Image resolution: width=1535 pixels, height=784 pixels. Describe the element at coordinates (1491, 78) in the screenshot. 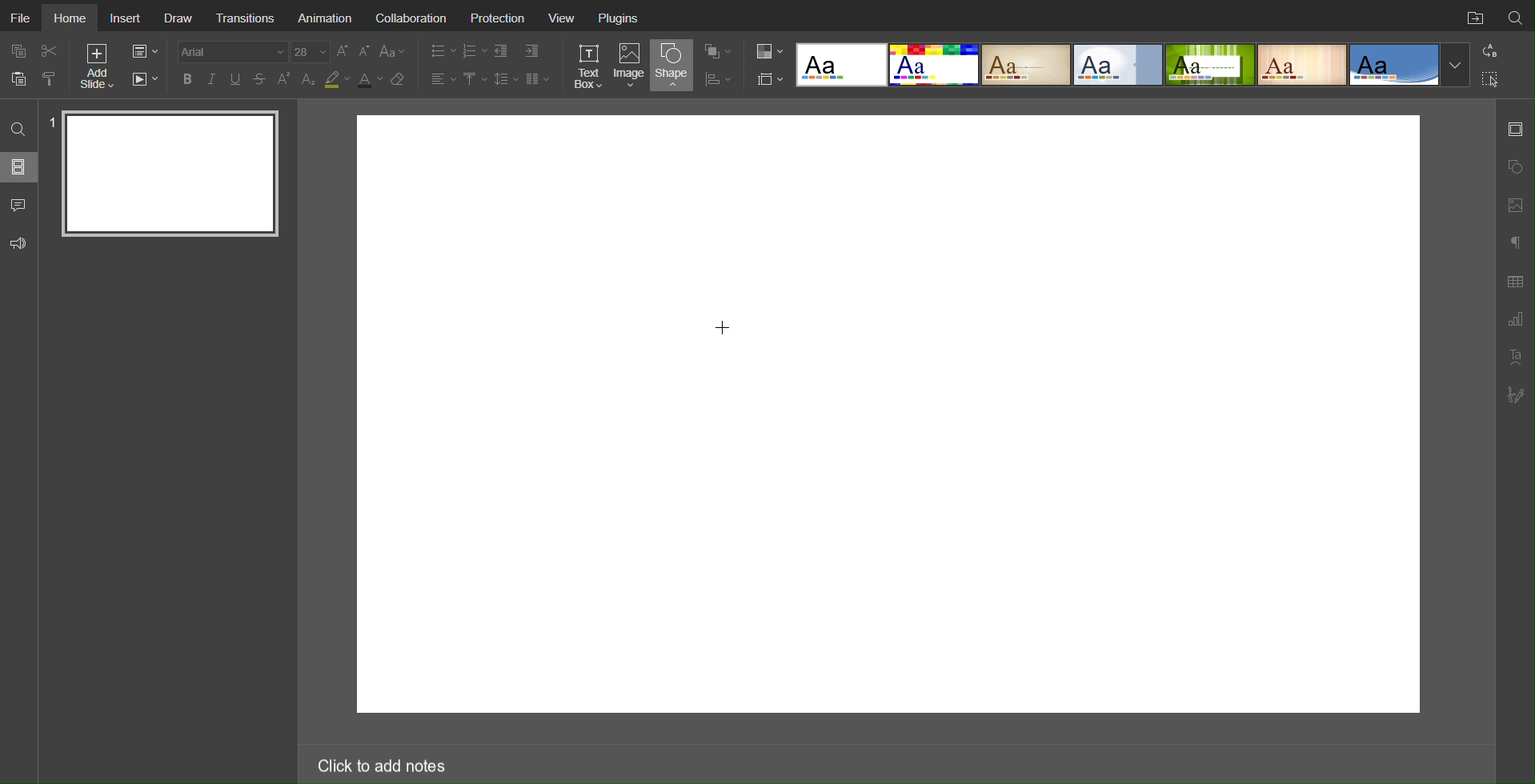

I see `Selection` at that location.